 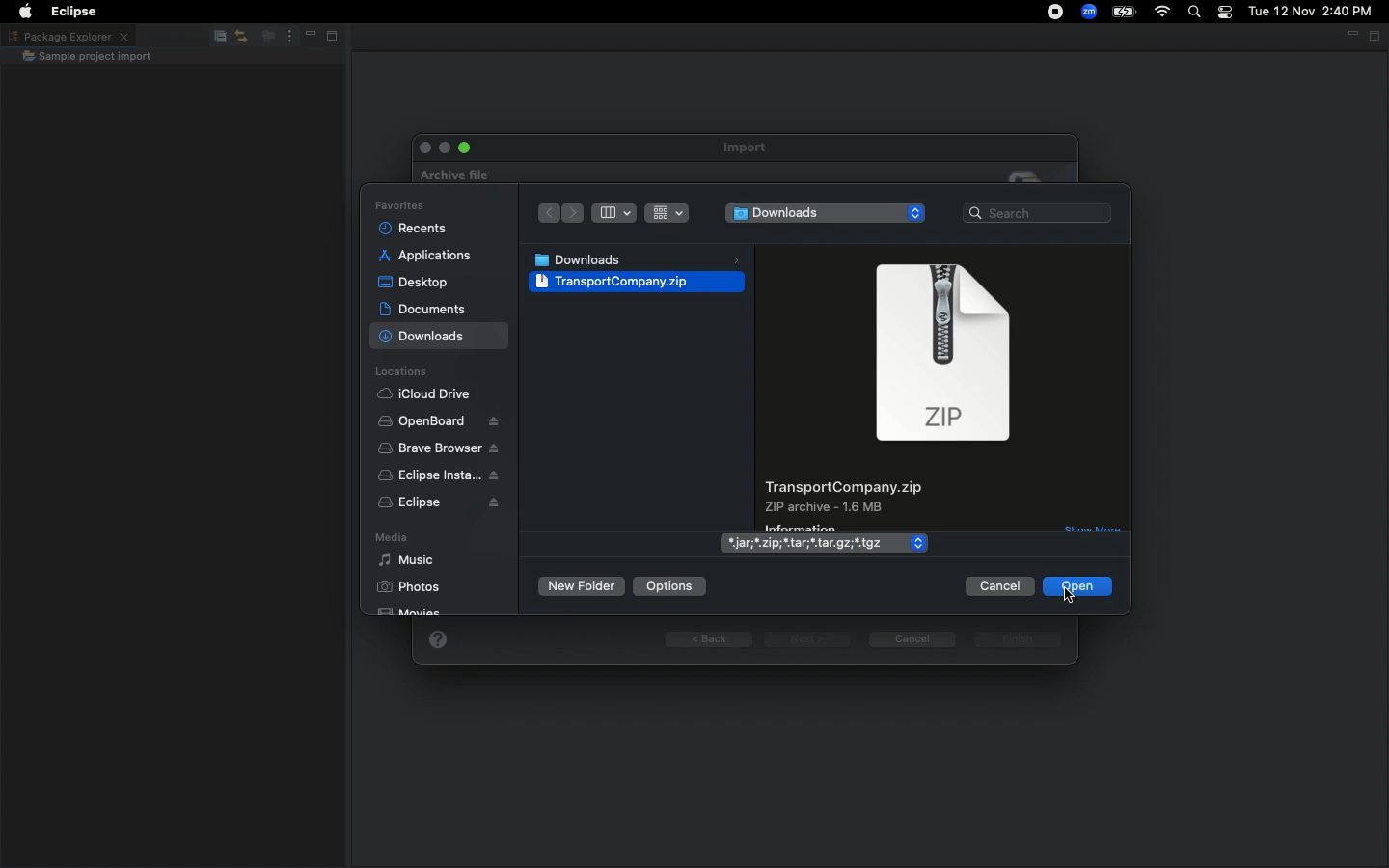 What do you see at coordinates (422, 149) in the screenshot?
I see `close` at bounding box center [422, 149].